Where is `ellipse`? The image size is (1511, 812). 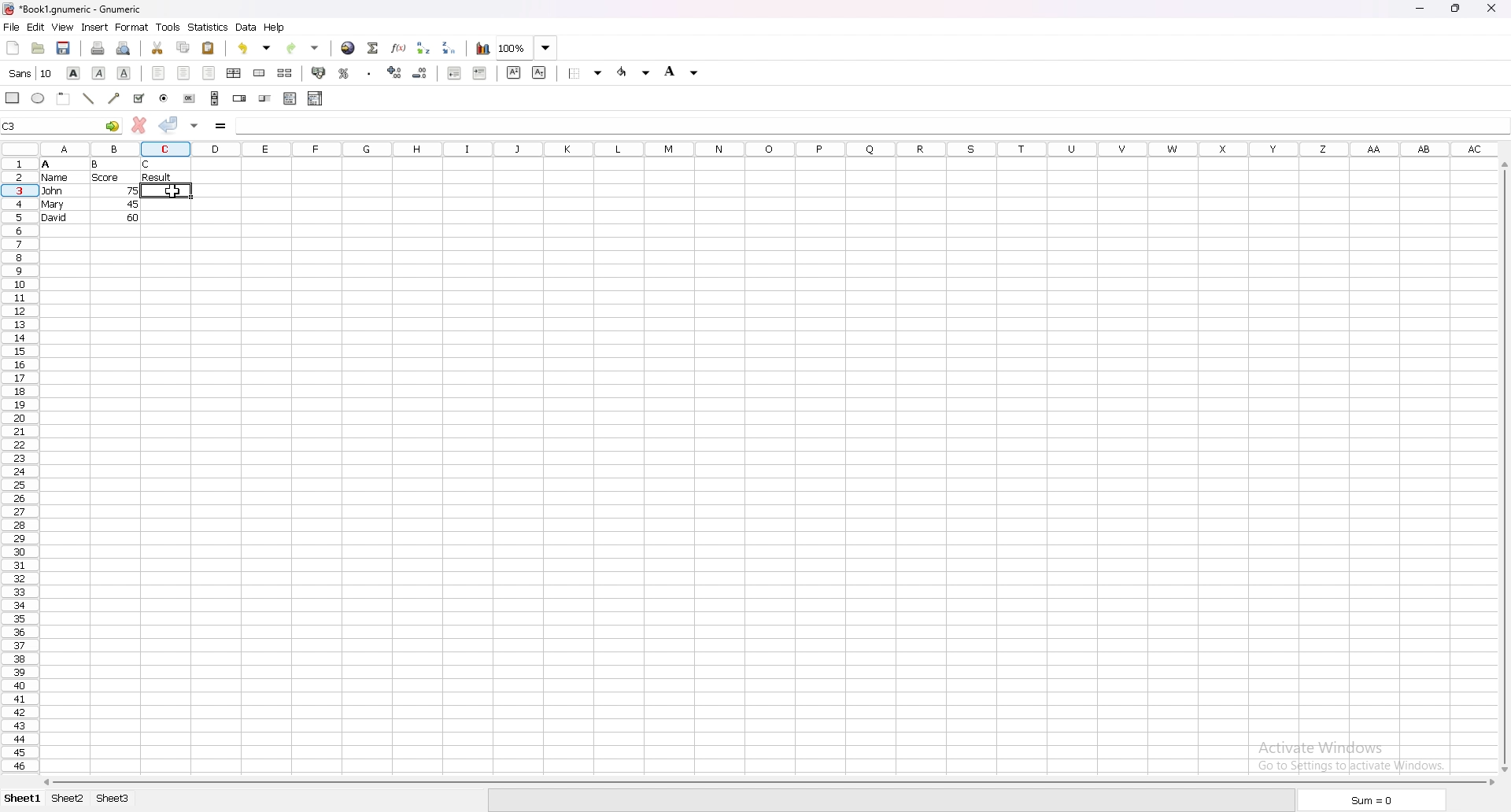 ellipse is located at coordinates (39, 98).